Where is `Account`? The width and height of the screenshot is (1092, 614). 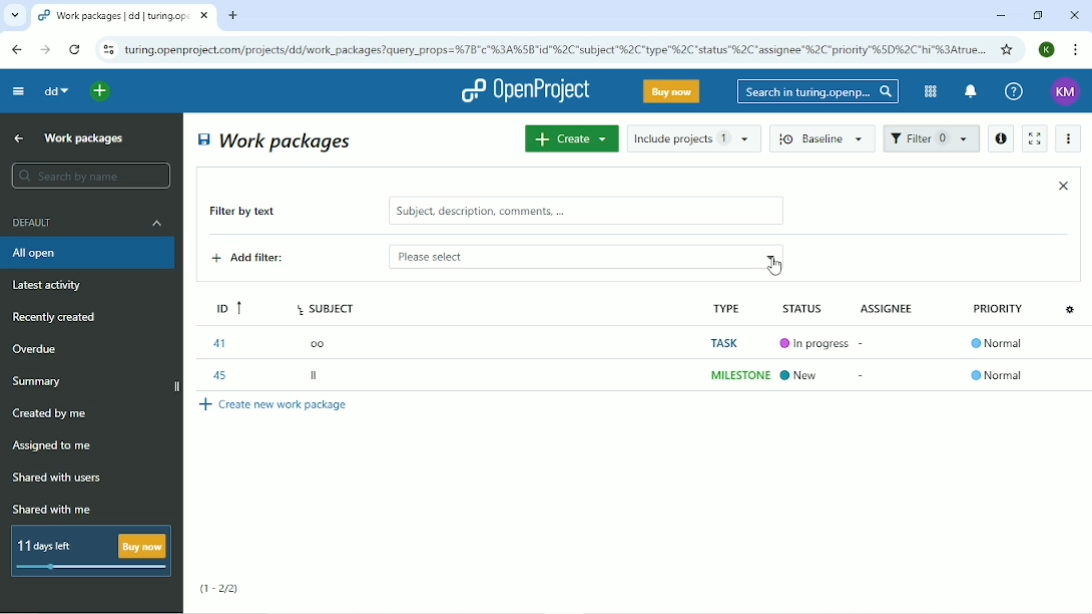
Account is located at coordinates (1066, 92).